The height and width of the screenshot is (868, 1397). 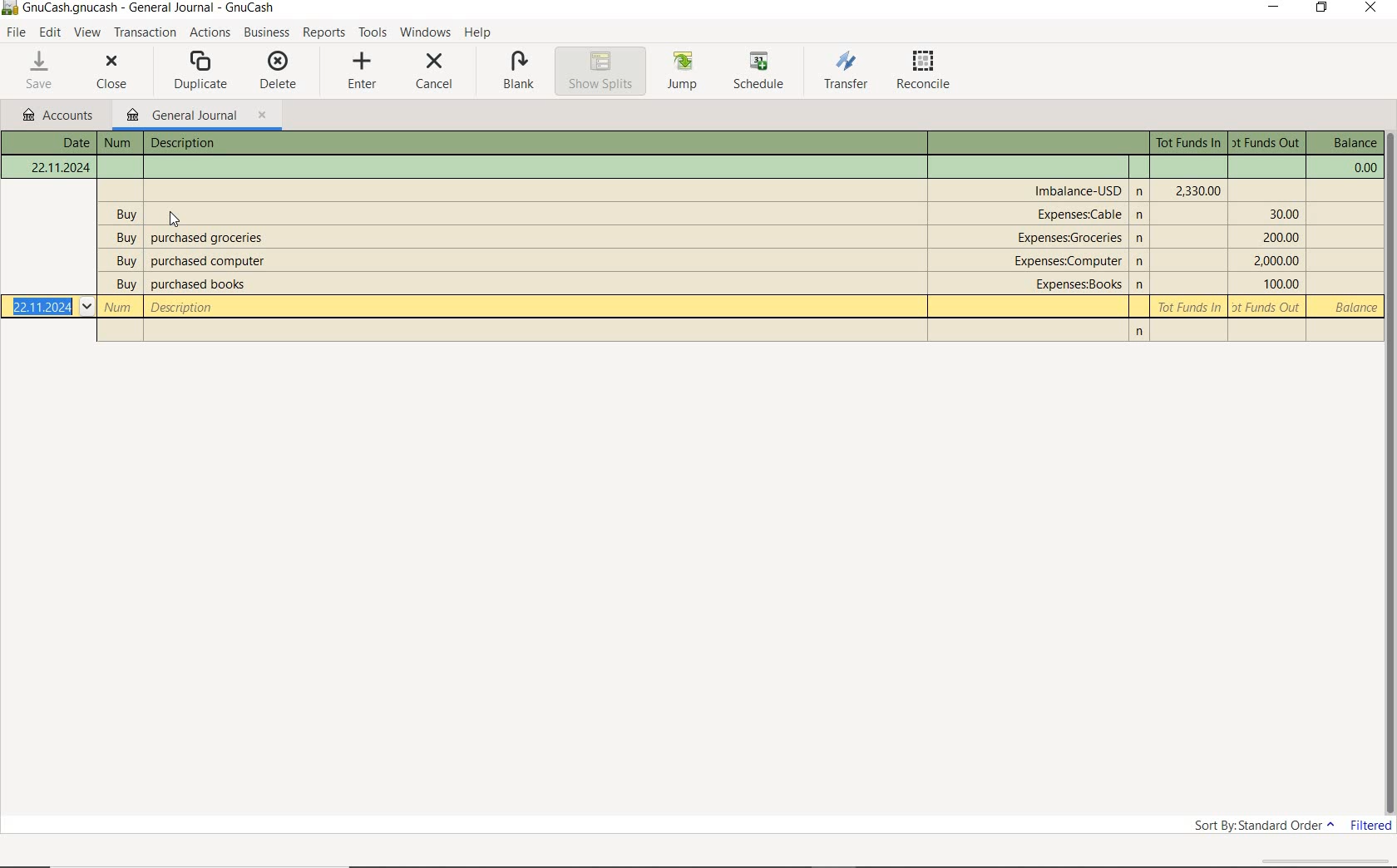 What do you see at coordinates (41, 71) in the screenshot?
I see `save` at bounding box center [41, 71].